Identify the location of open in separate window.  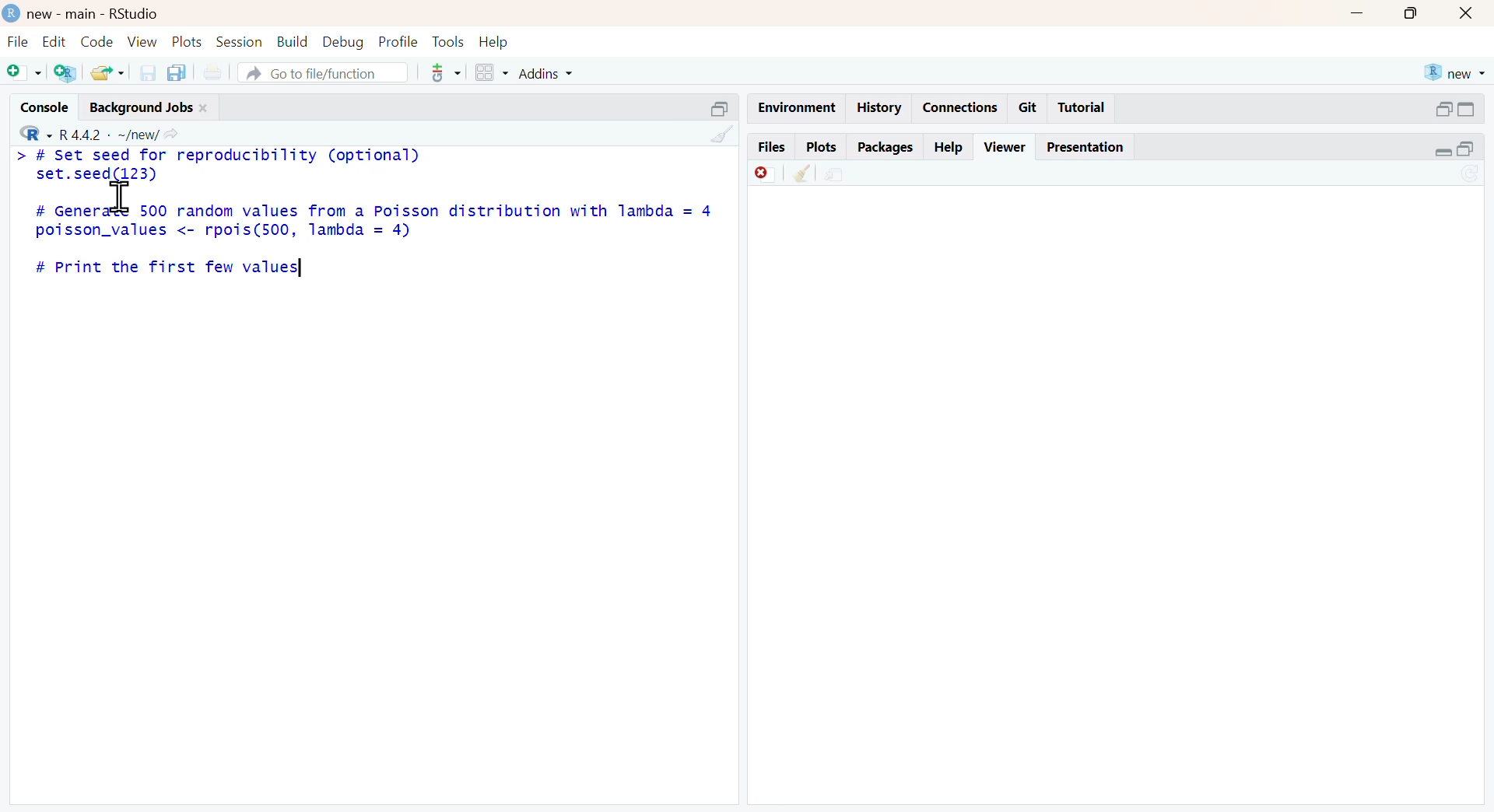
(1466, 149).